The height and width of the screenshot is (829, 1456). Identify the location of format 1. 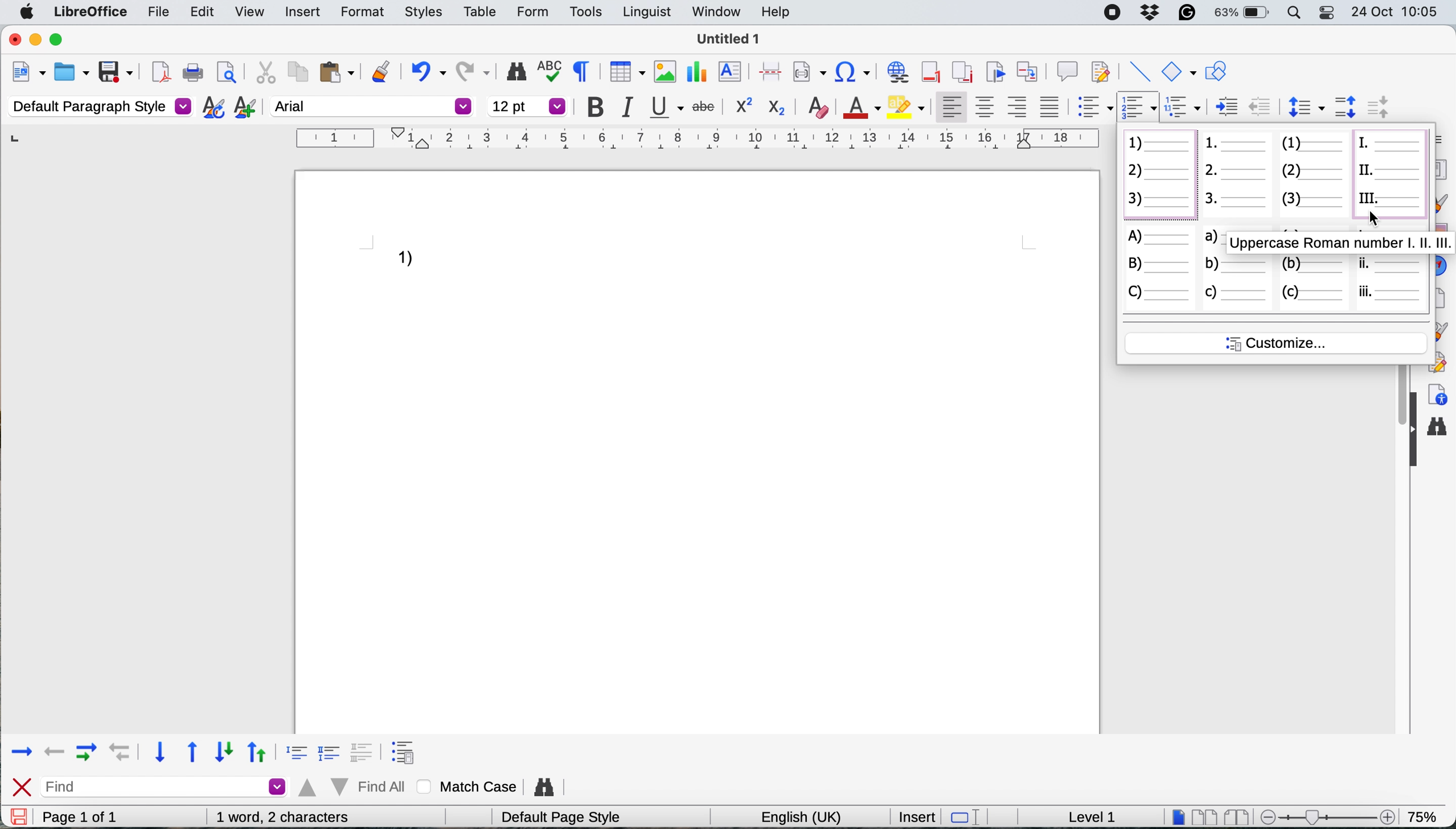
(293, 750).